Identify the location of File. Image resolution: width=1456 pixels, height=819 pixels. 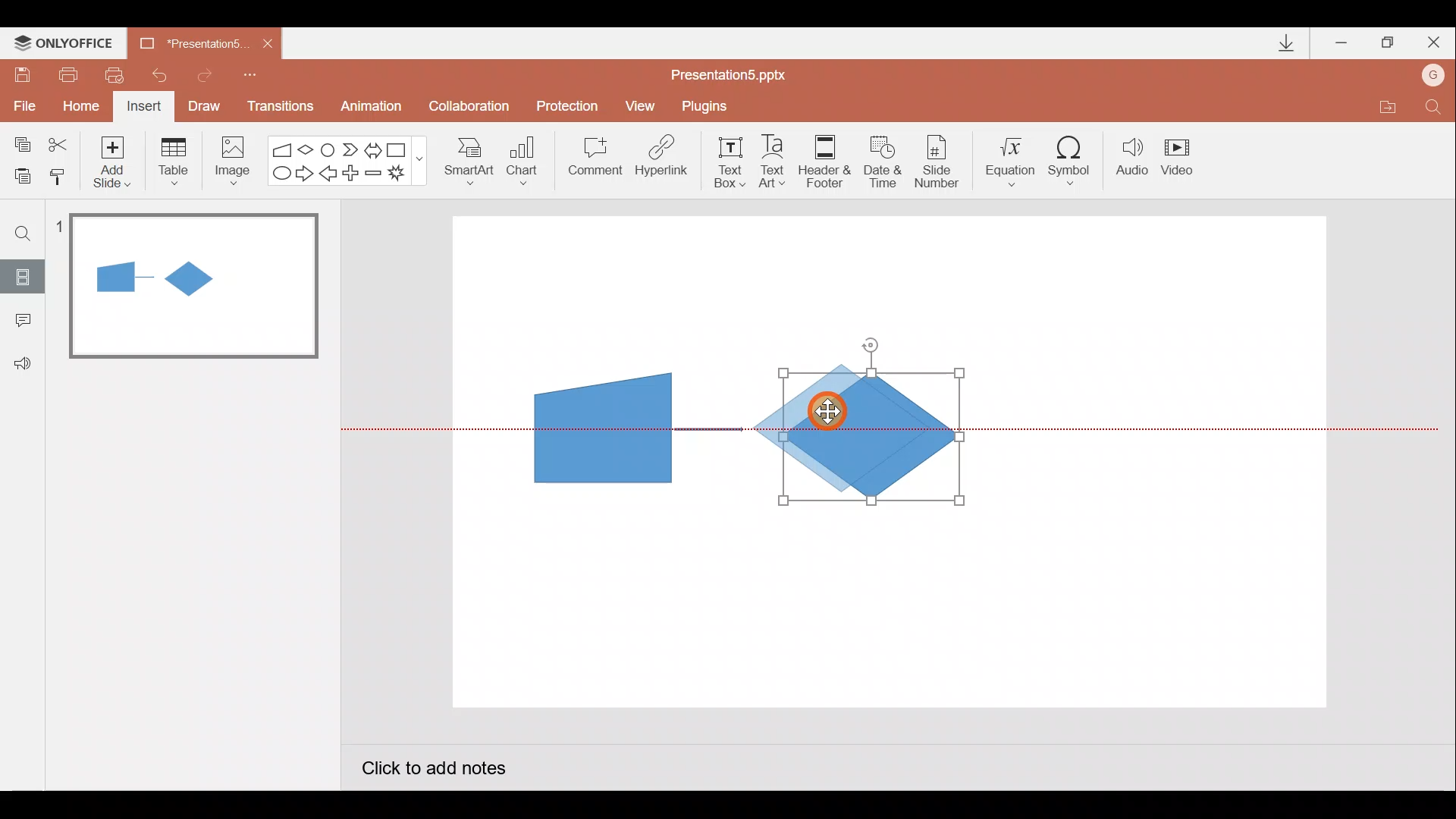
(21, 102).